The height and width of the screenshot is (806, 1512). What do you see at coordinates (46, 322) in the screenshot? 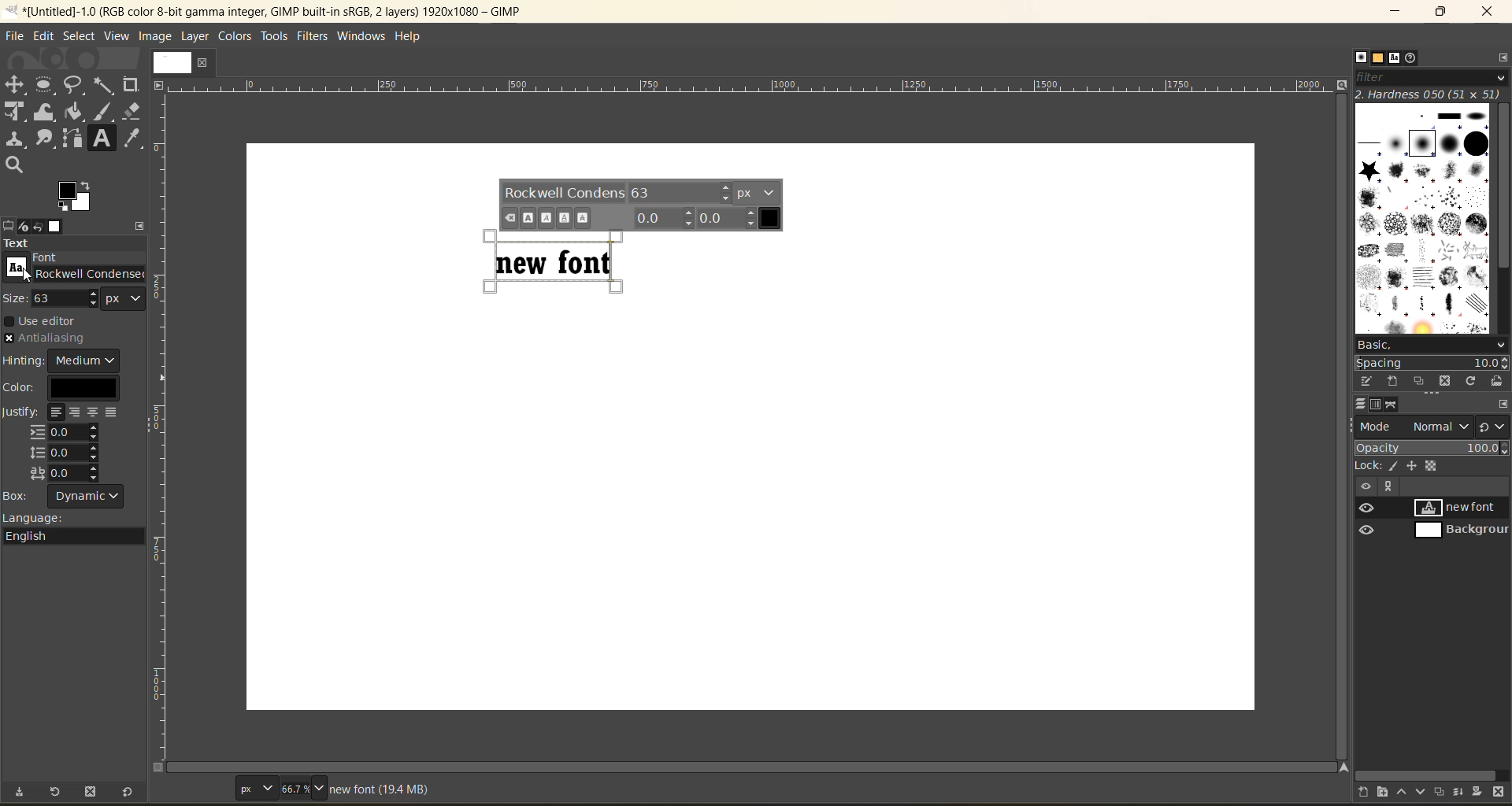
I see `use editor` at bounding box center [46, 322].